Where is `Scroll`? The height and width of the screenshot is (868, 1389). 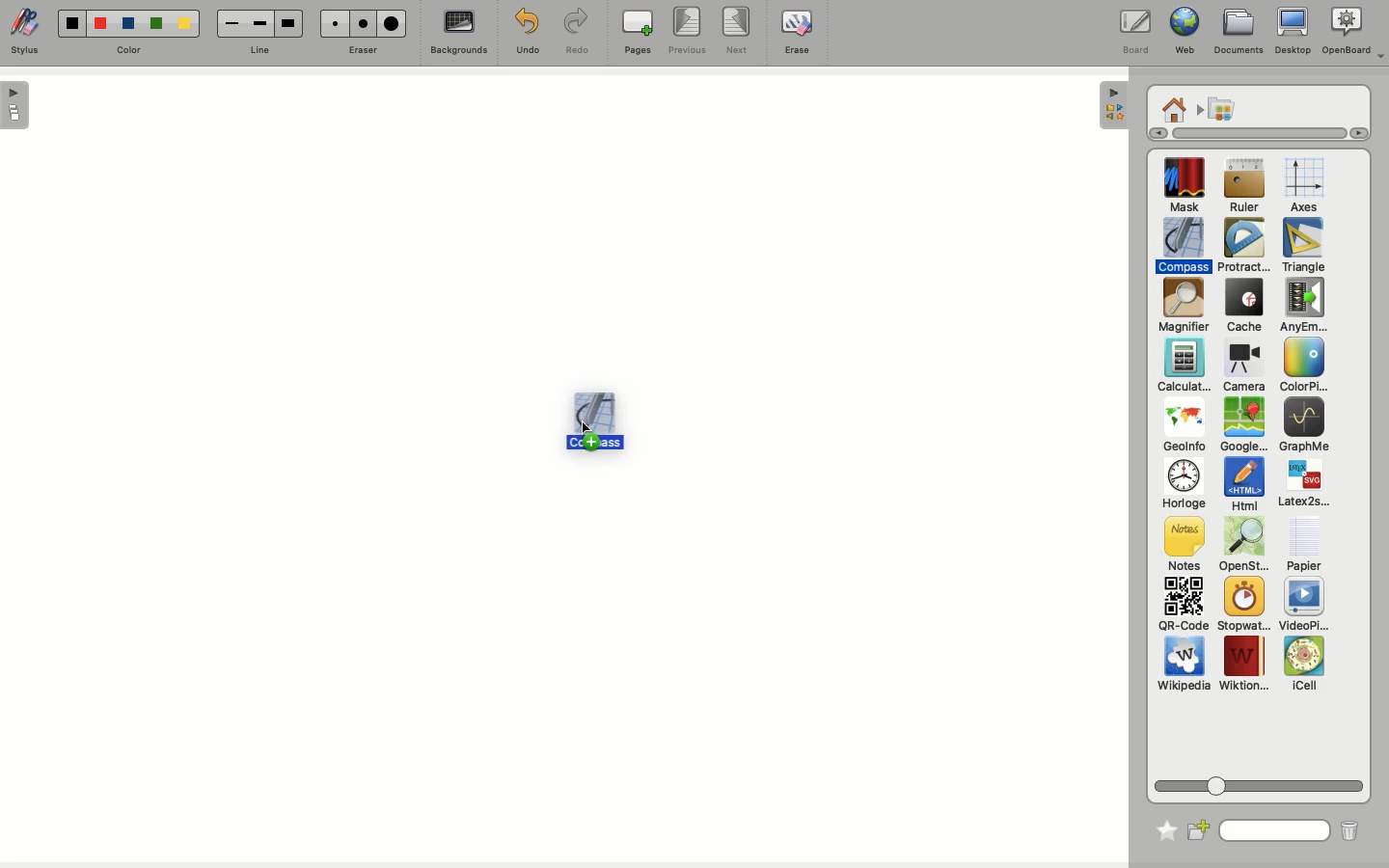
Scroll is located at coordinates (1250, 133).